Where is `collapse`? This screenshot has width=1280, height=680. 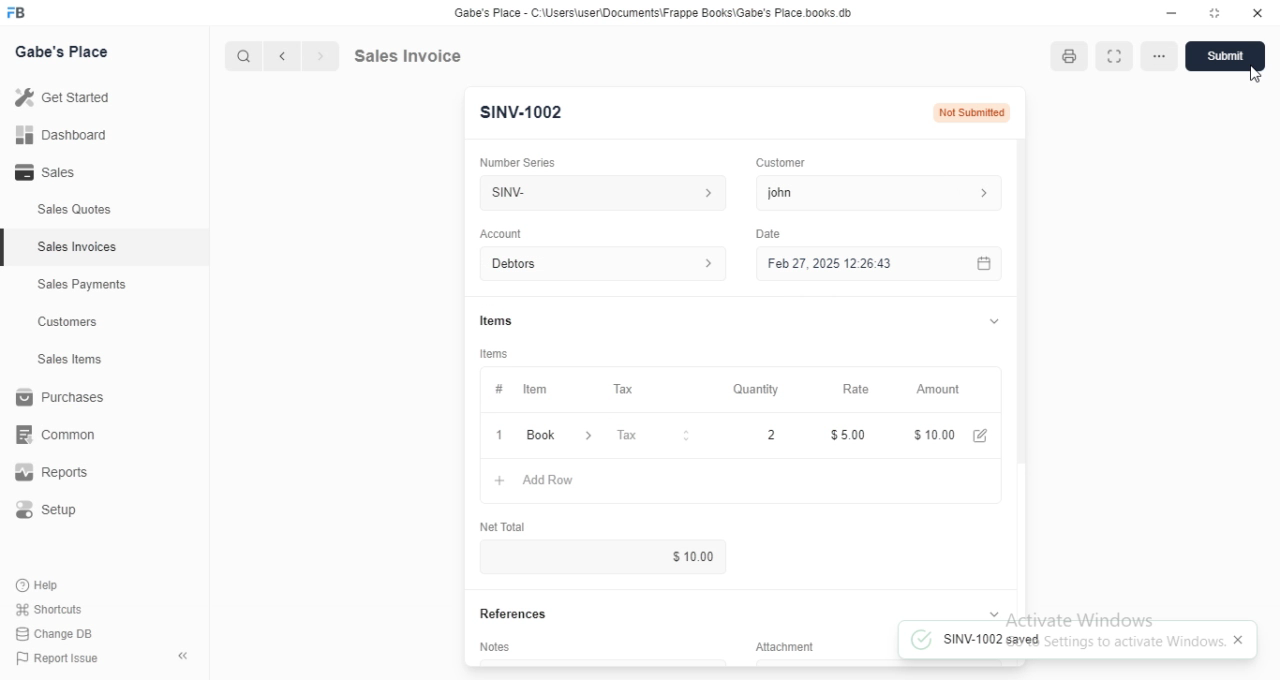
collapse is located at coordinates (181, 653).